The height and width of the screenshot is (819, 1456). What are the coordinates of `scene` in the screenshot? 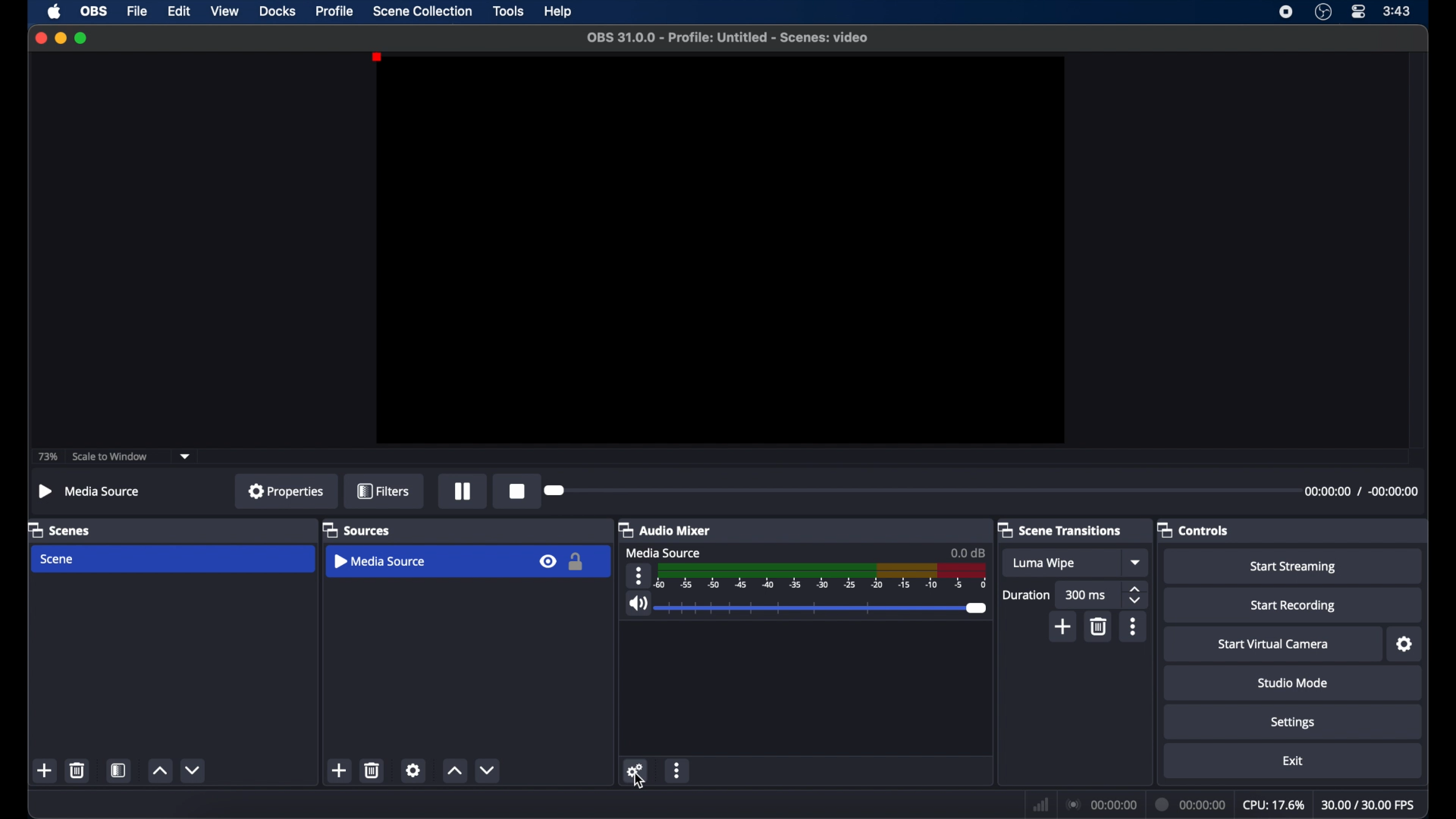 It's located at (58, 560).